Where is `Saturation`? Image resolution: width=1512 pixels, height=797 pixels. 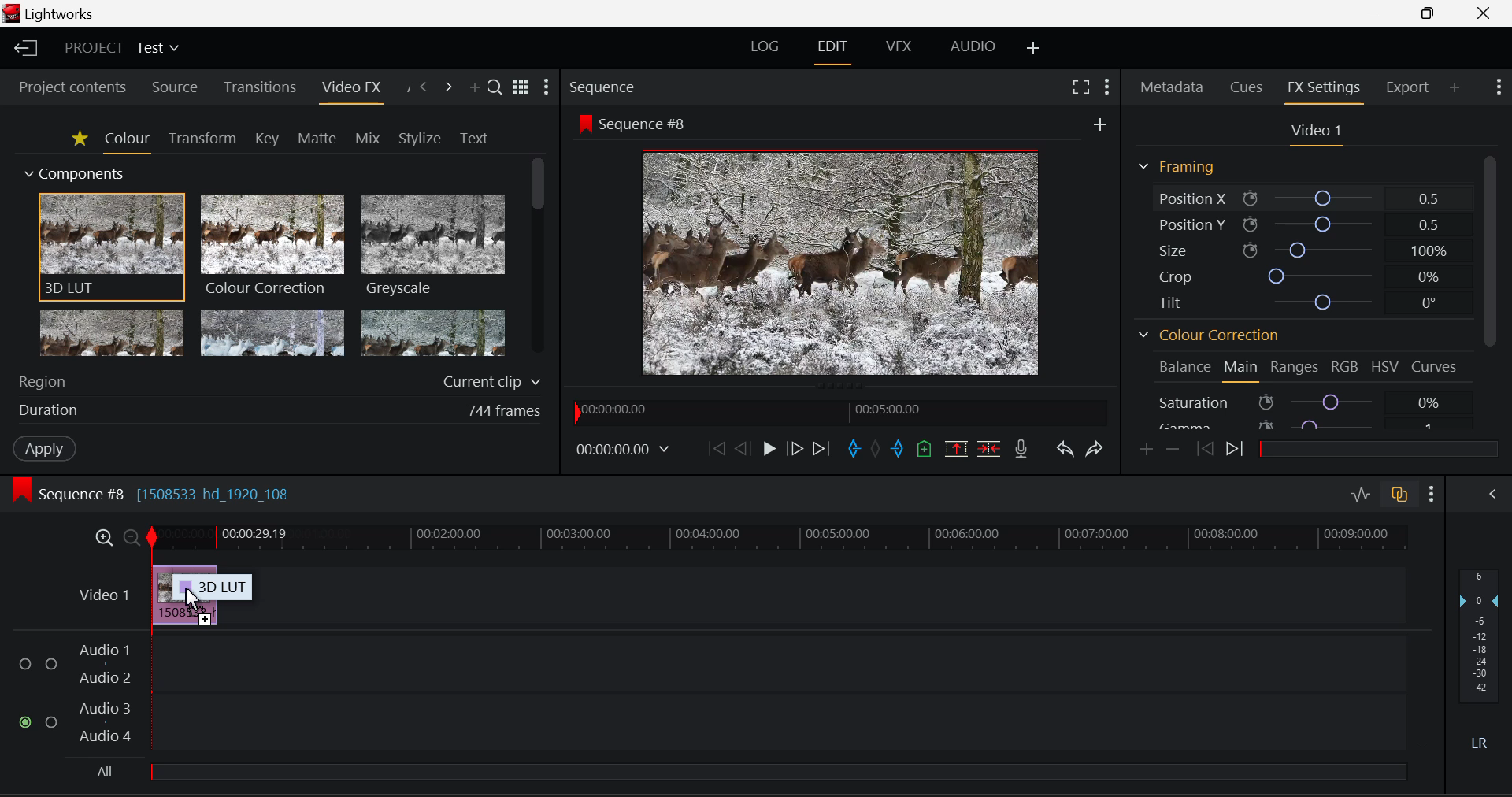
Saturation is located at coordinates (1303, 402).